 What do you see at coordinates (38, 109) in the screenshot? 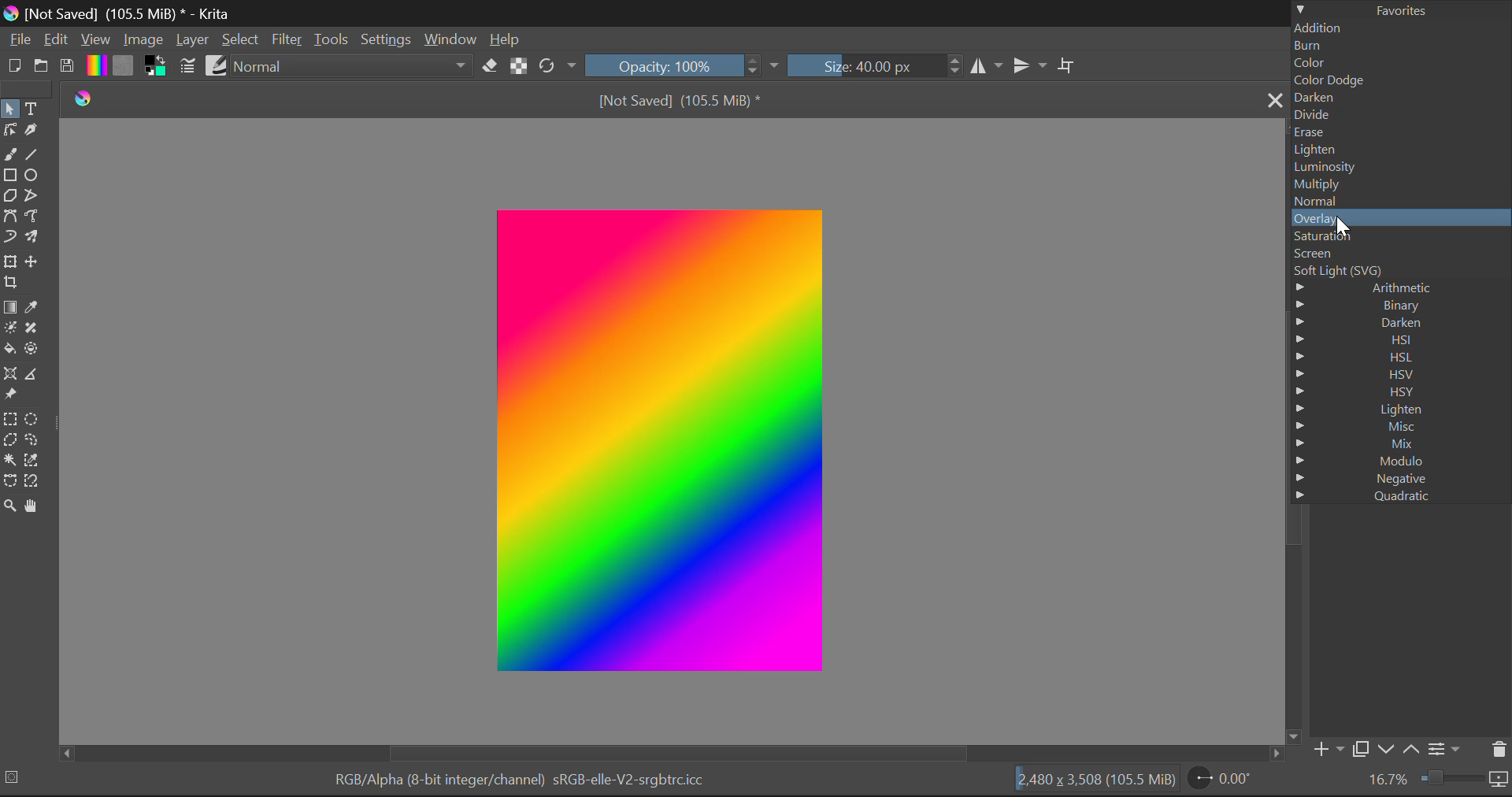
I see `Text` at bounding box center [38, 109].